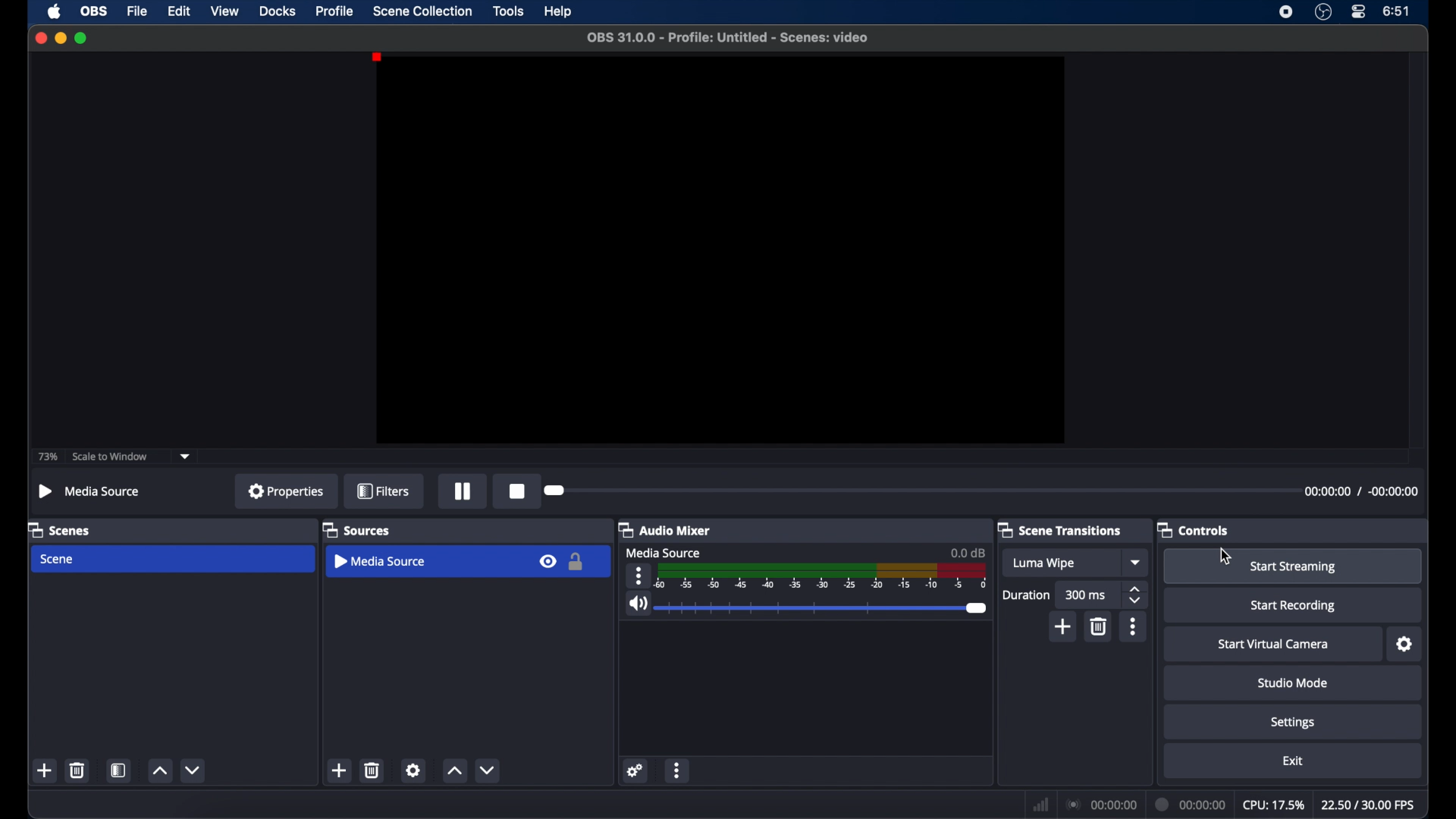 This screenshot has height=819, width=1456. I want to click on connections, so click(1100, 805).